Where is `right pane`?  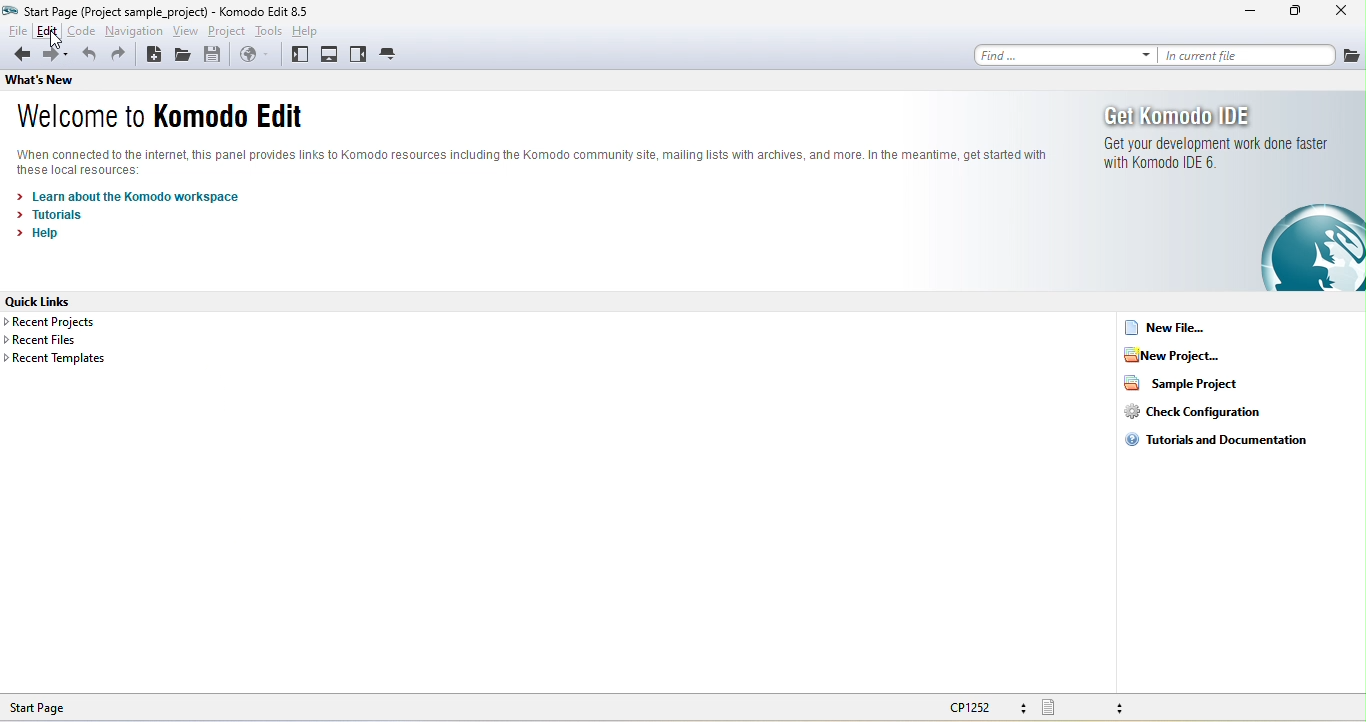 right pane is located at coordinates (359, 55).